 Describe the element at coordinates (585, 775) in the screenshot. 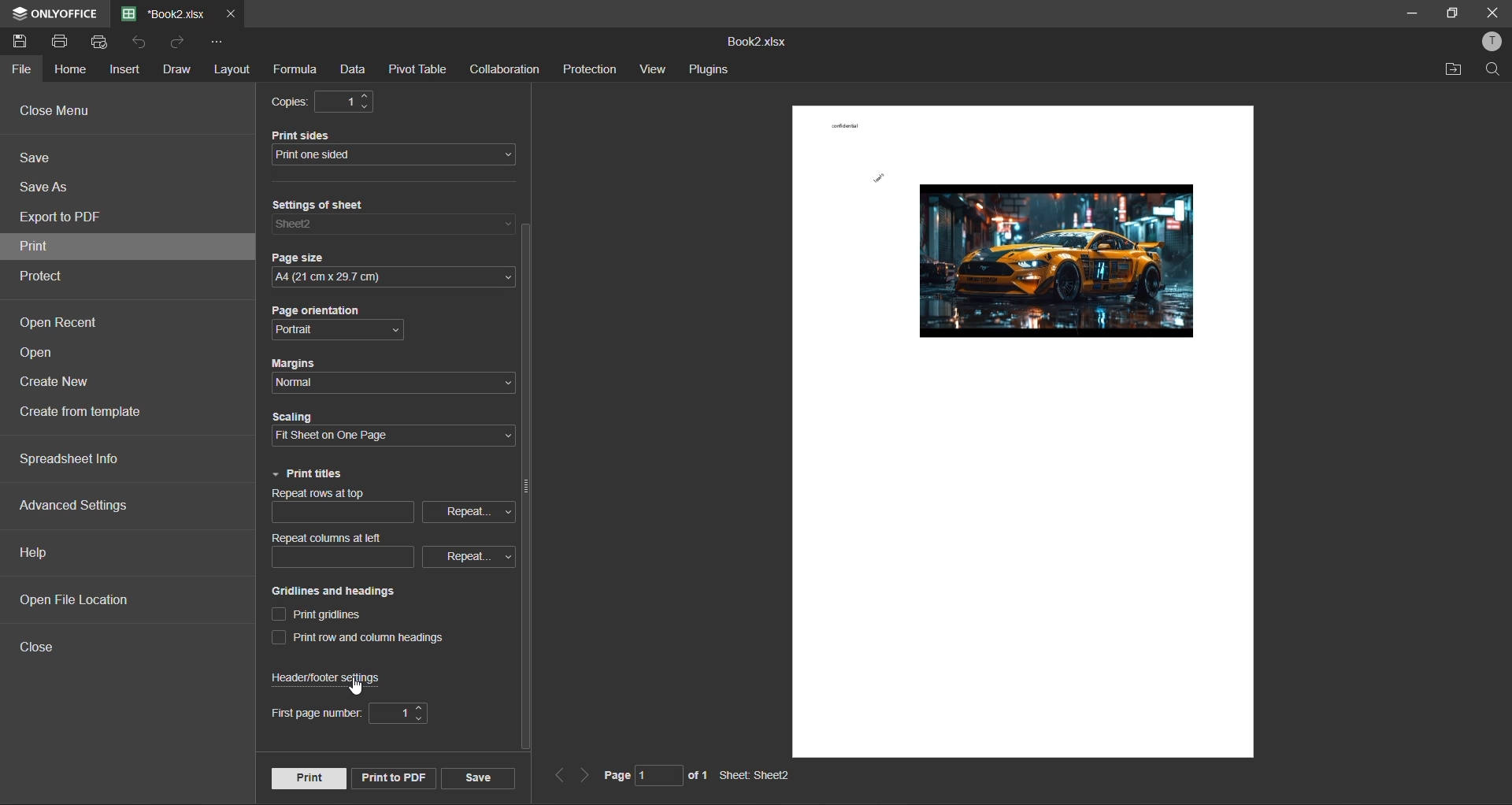

I see `next` at that location.